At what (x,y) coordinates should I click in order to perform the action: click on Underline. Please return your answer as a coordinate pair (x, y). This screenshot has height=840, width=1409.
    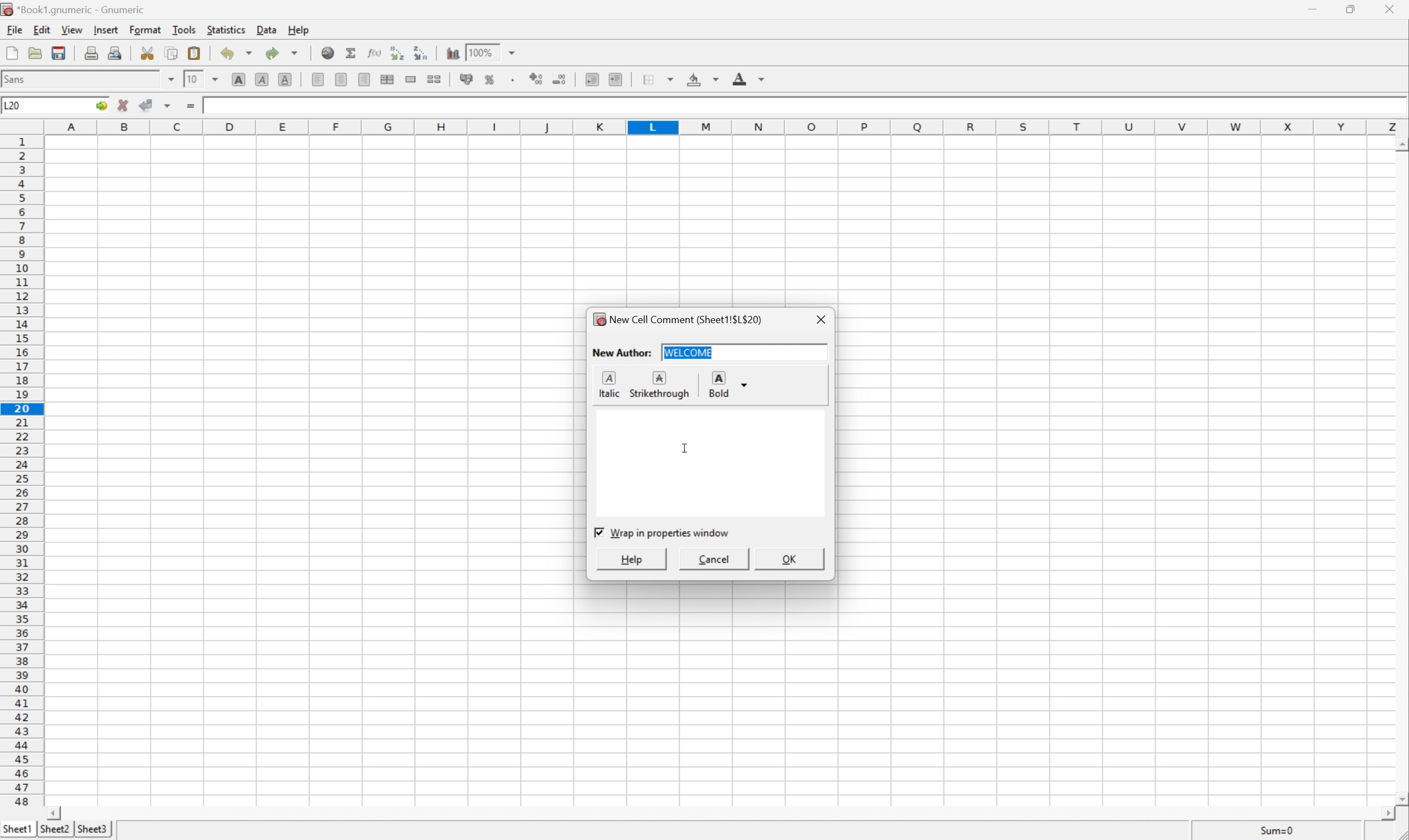
    Looking at the image, I should click on (285, 79).